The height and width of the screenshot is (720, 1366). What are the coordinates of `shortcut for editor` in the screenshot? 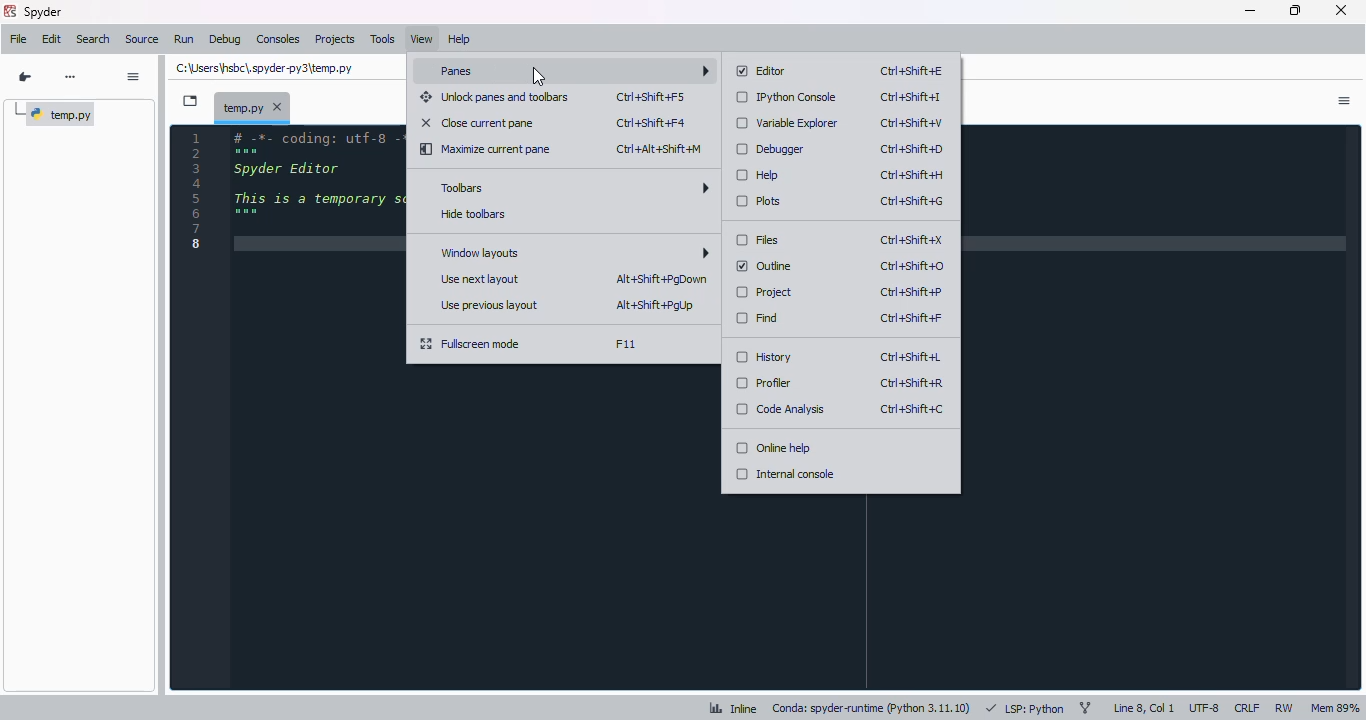 It's located at (913, 71).